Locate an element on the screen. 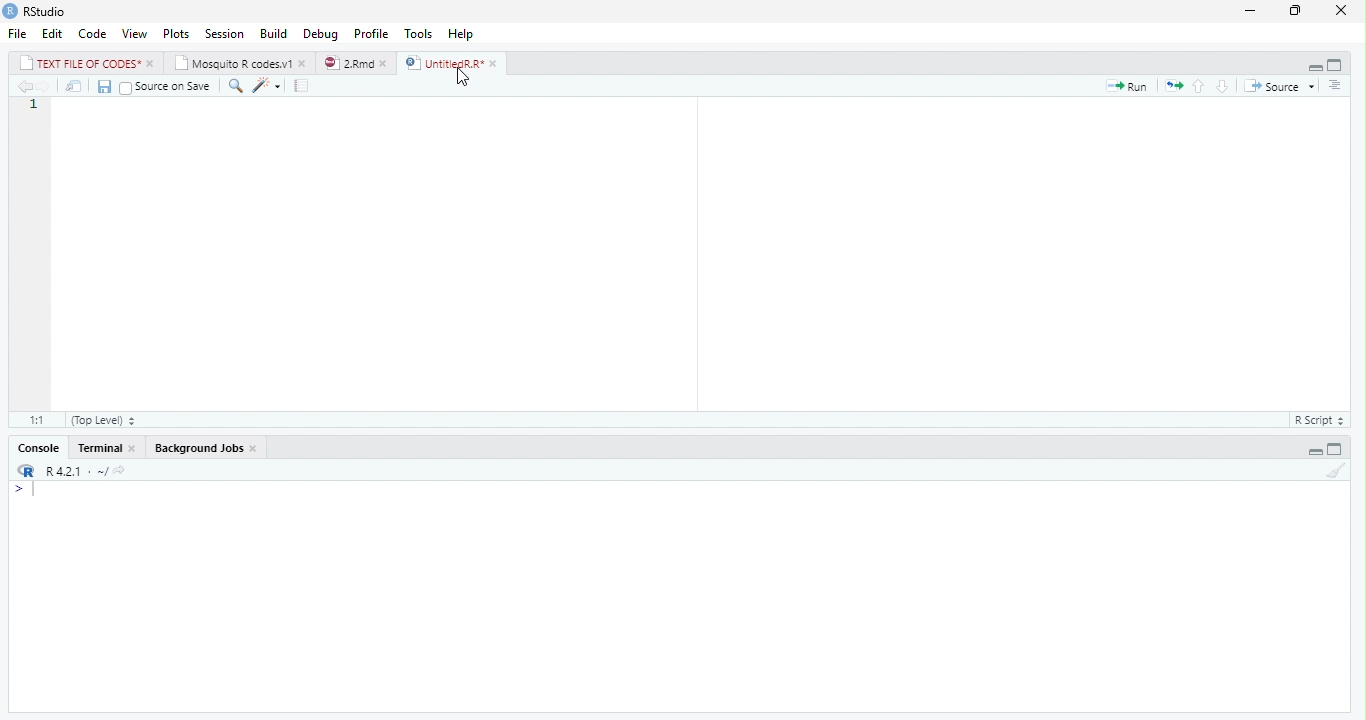 This screenshot has height=720, width=1366. Go to next location is located at coordinates (45, 87).